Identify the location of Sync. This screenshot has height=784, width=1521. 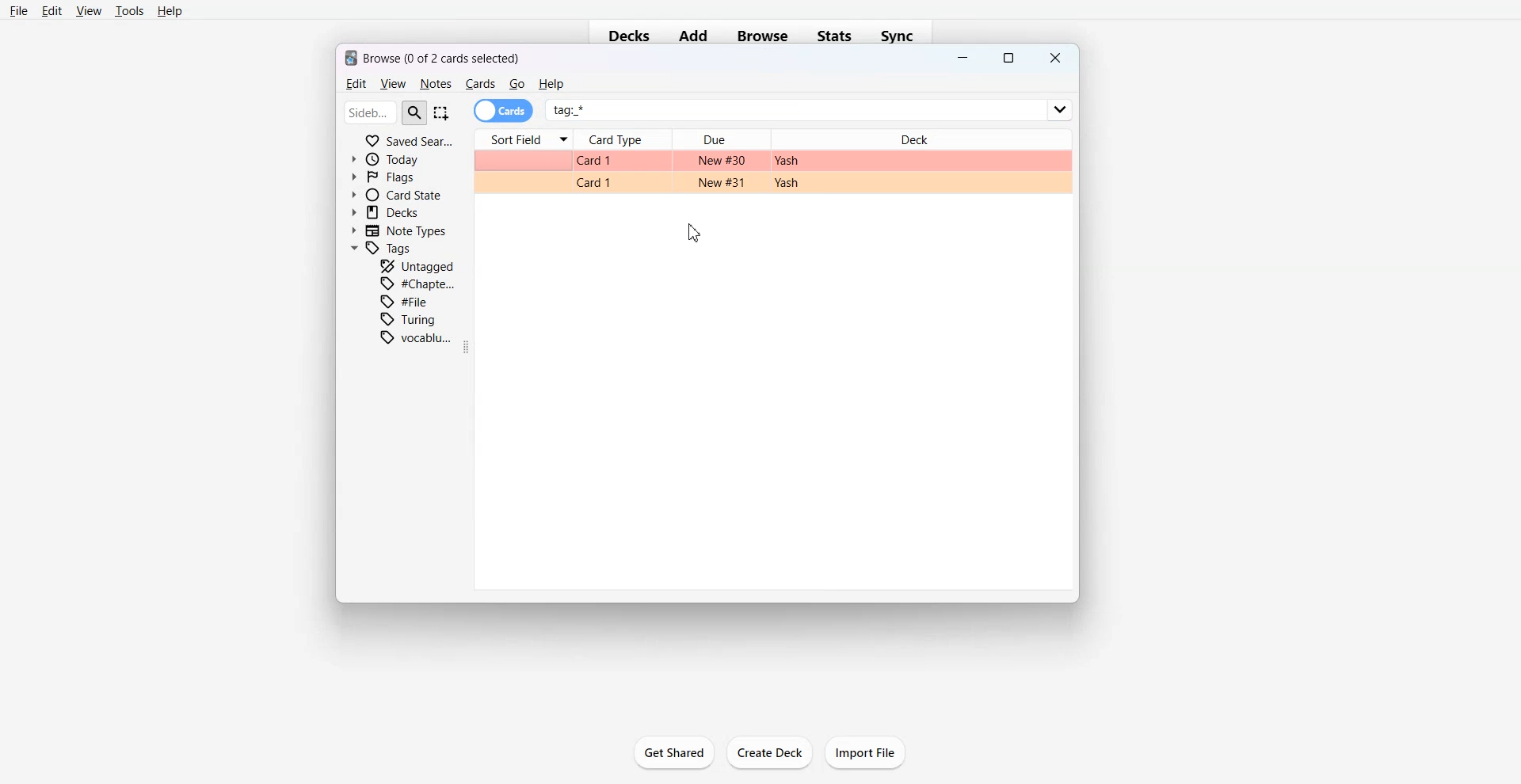
(902, 36).